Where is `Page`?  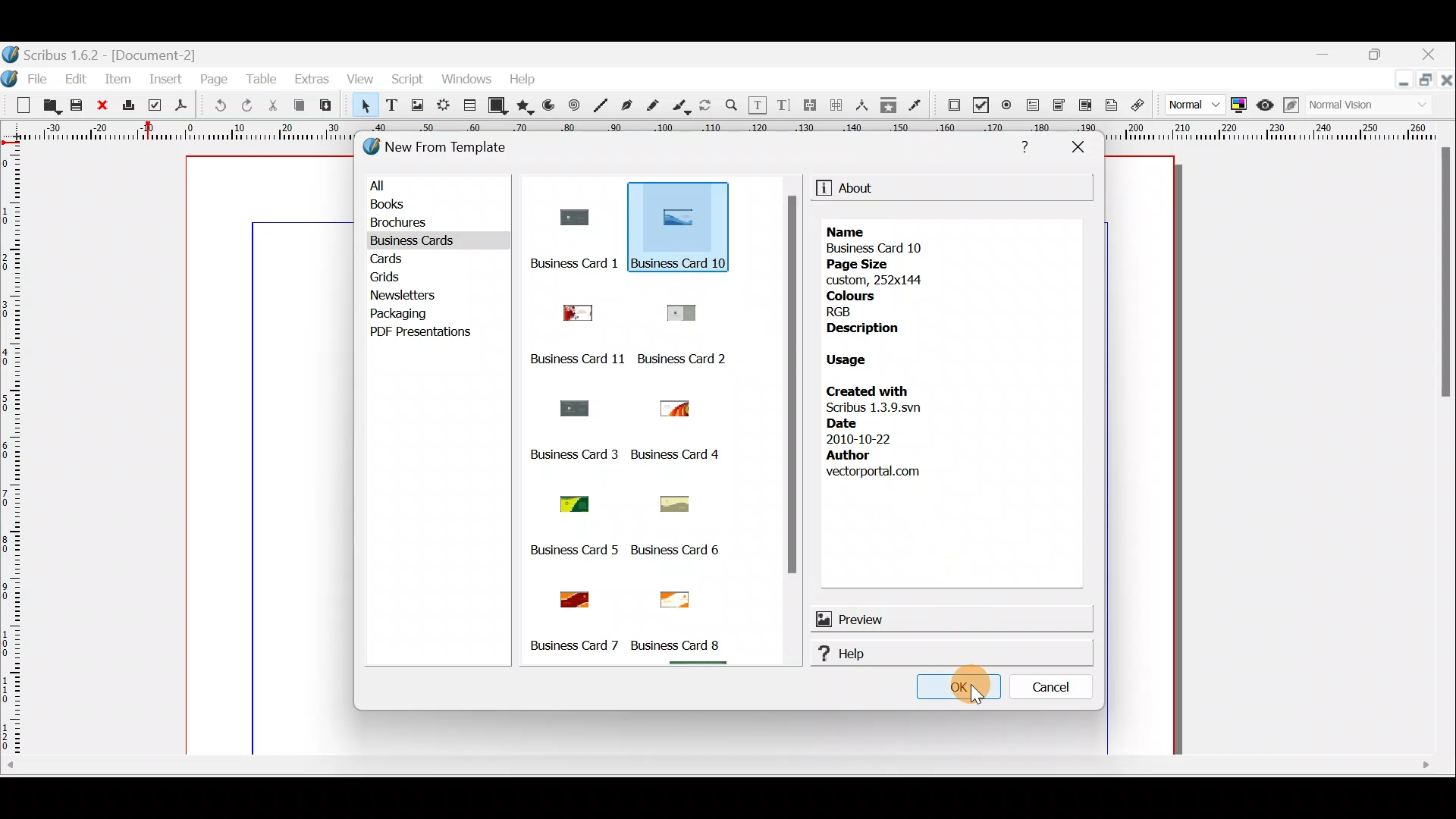 Page is located at coordinates (213, 78).